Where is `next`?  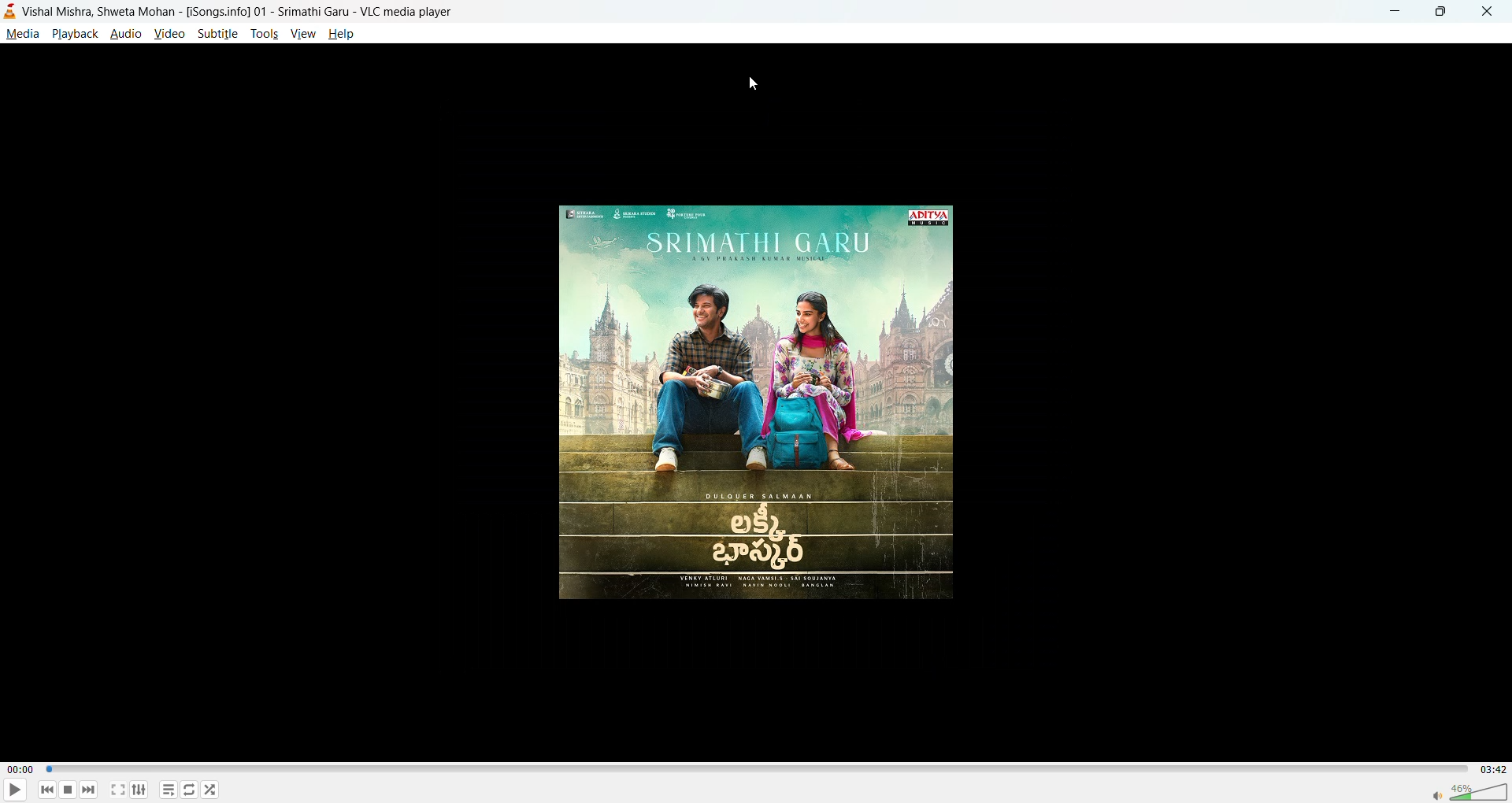 next is located at coordinates (87, 787).